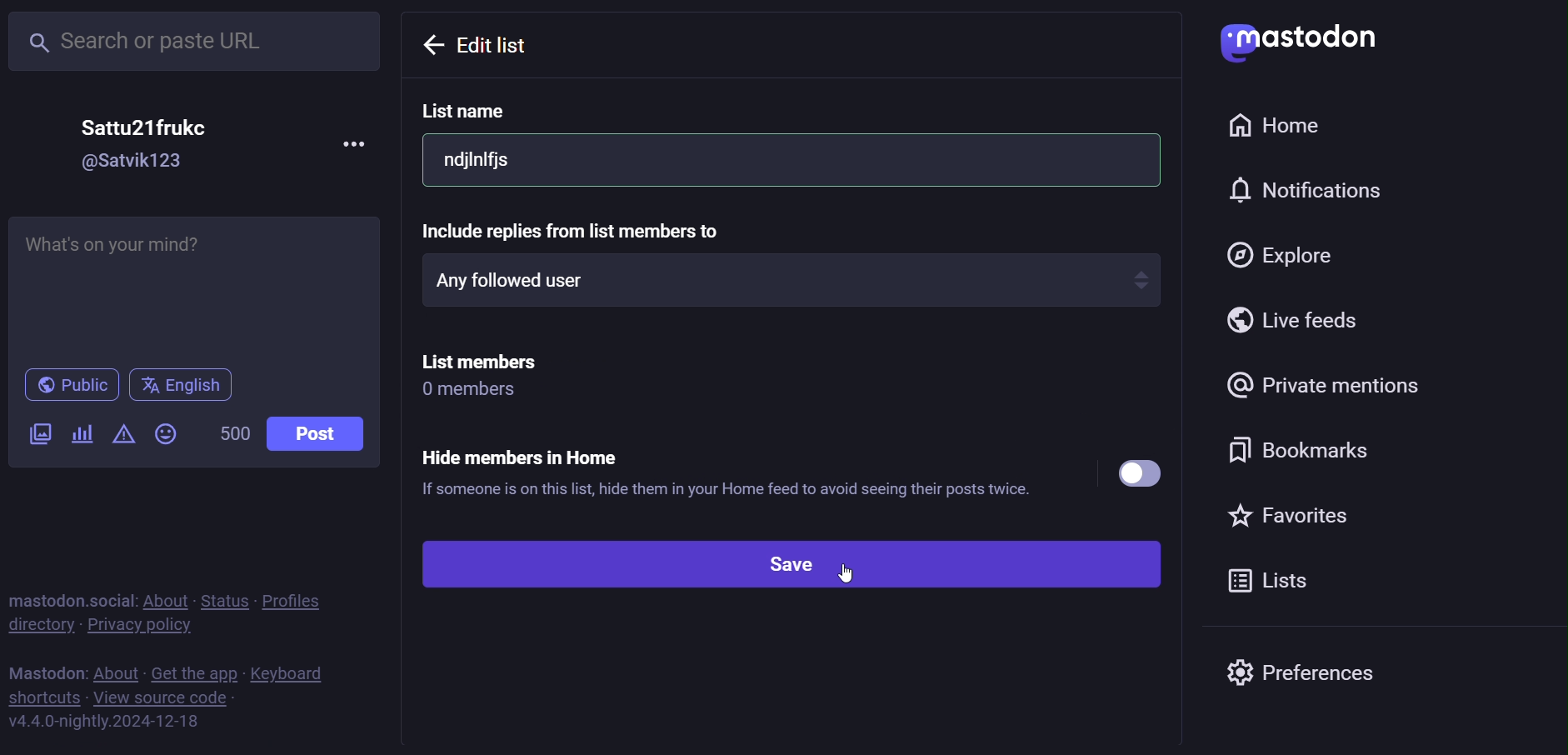 This screenshot has width=1568, height=755. Describe the element at coordinates (597, 228) in the screenshot. I see `Include replies from list members to` at that location.